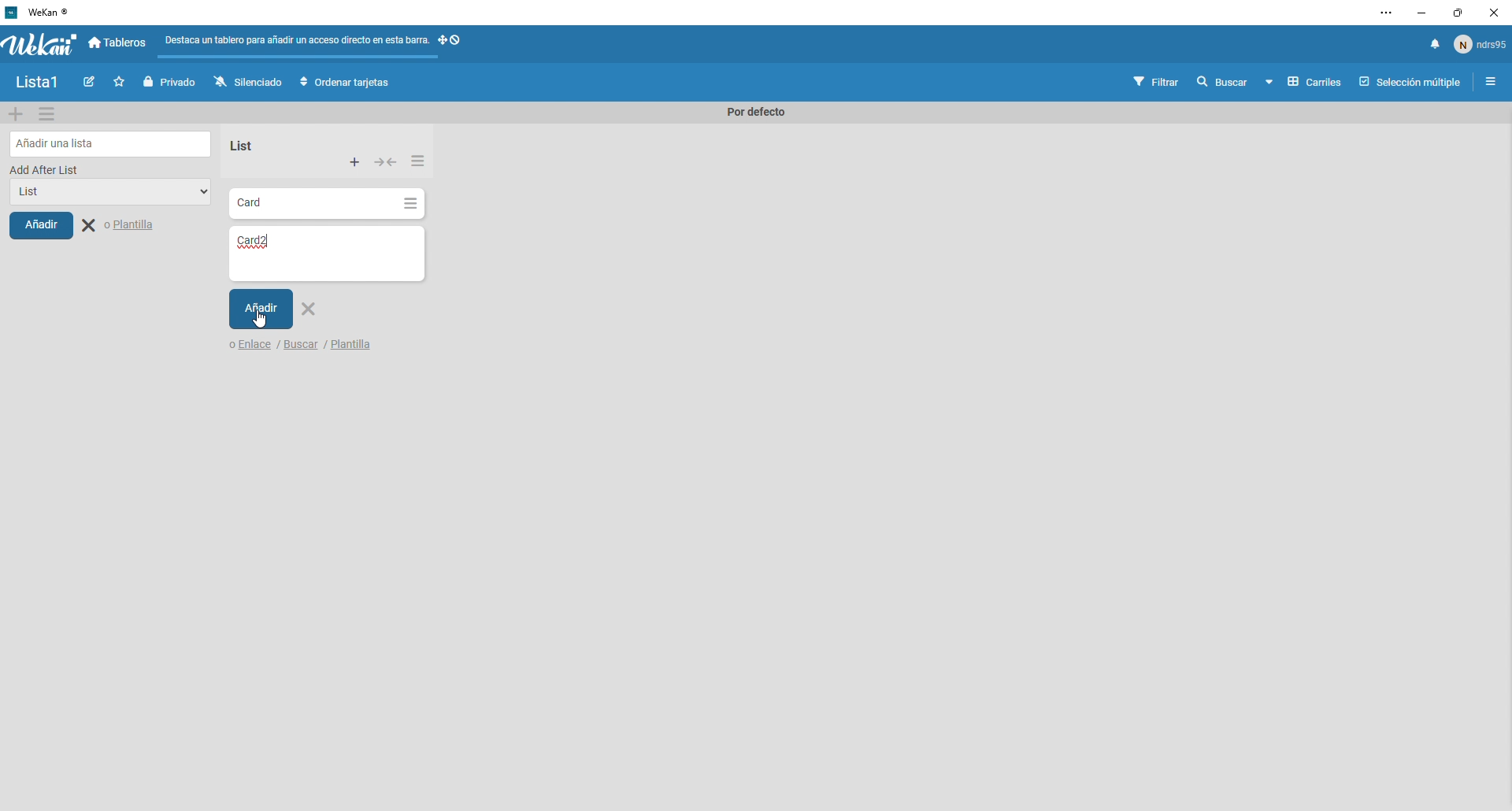 The width and height of the screenshot is (1512, 811). I want to click on Boars, so click(119, 44).